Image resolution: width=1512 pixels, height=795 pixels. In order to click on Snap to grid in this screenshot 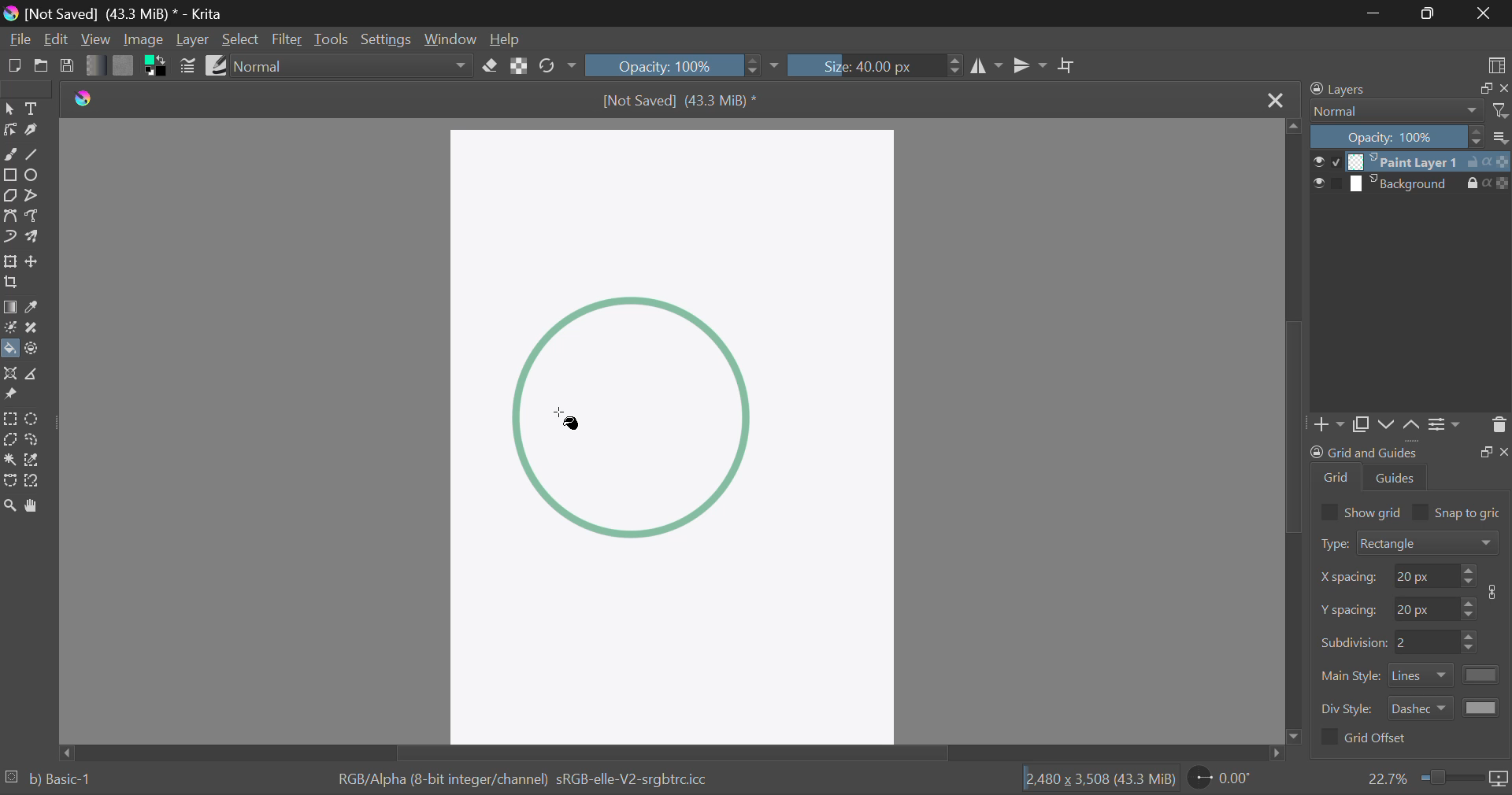, I will do `click(1460, 511)`.